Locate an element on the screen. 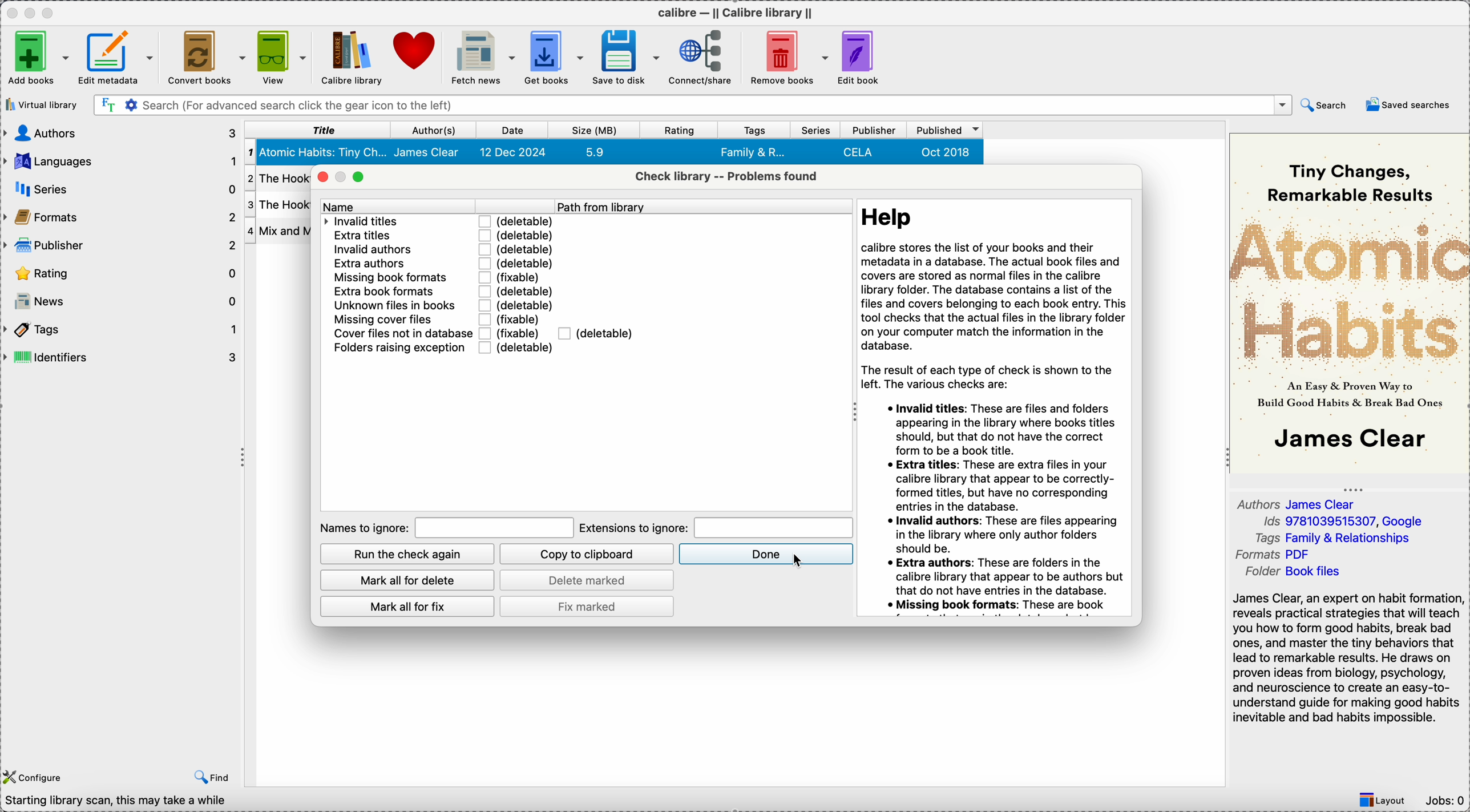 This screenshot has height=812, width=1470. edit metadata is located at coordinates (118, 61).